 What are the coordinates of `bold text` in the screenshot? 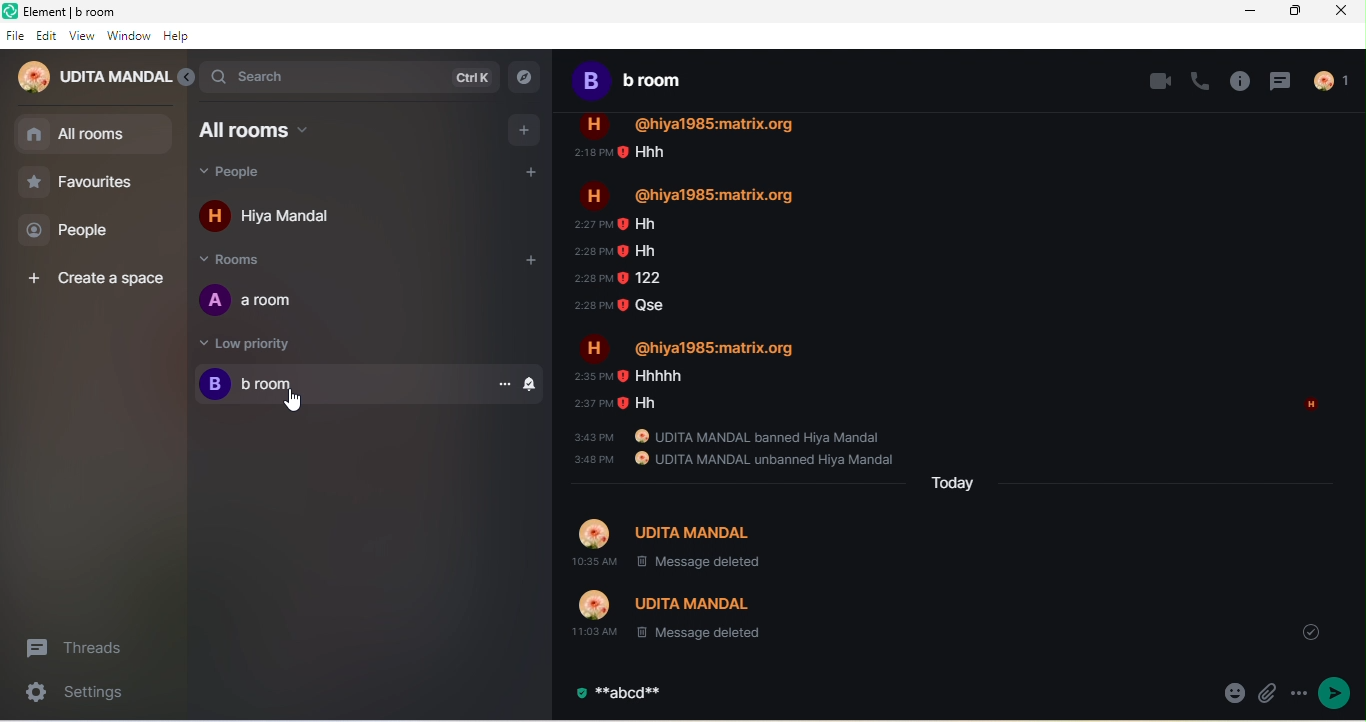 It's located at (619, 694).